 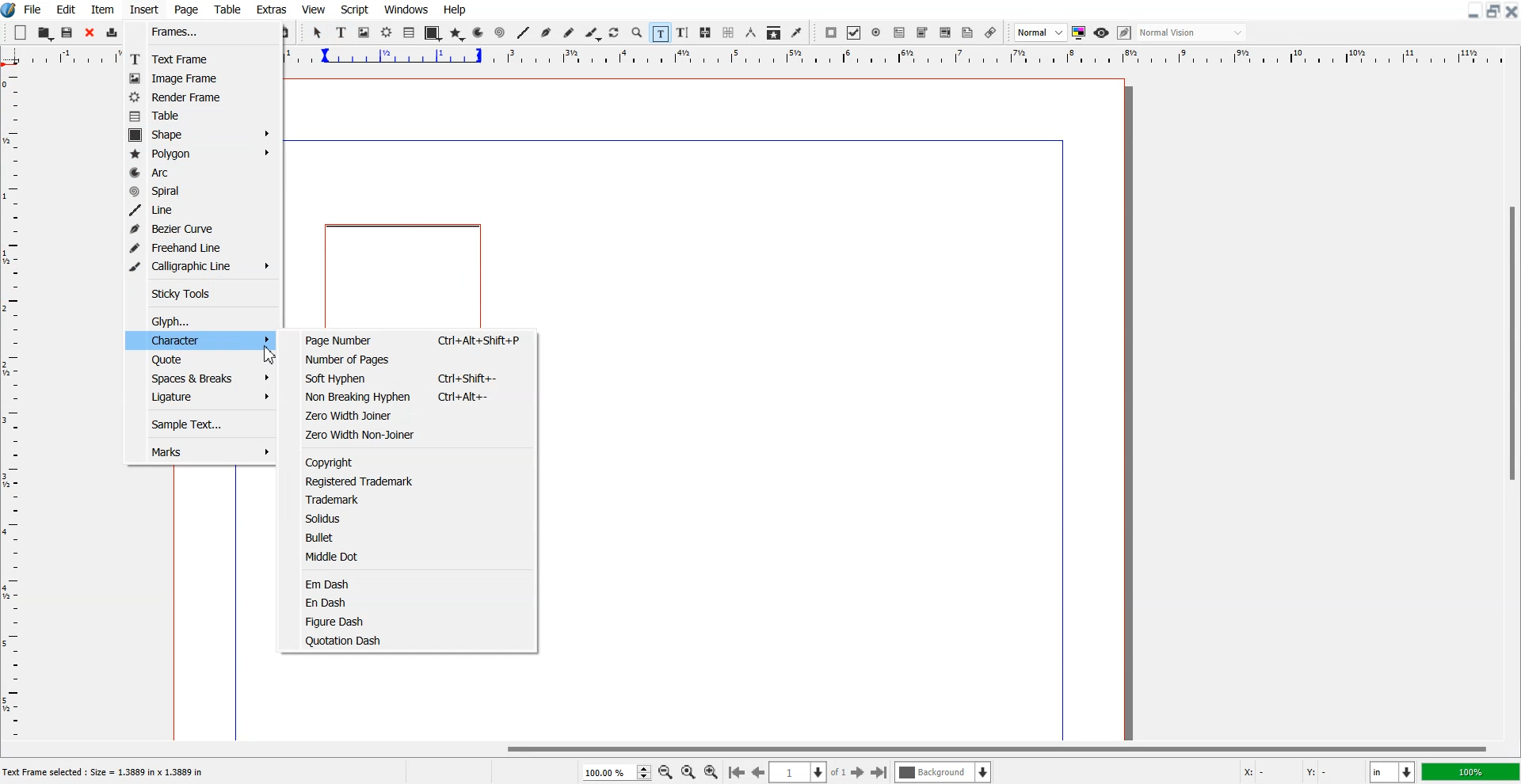 I want to click on Polygon, so click(x=202, y=154).